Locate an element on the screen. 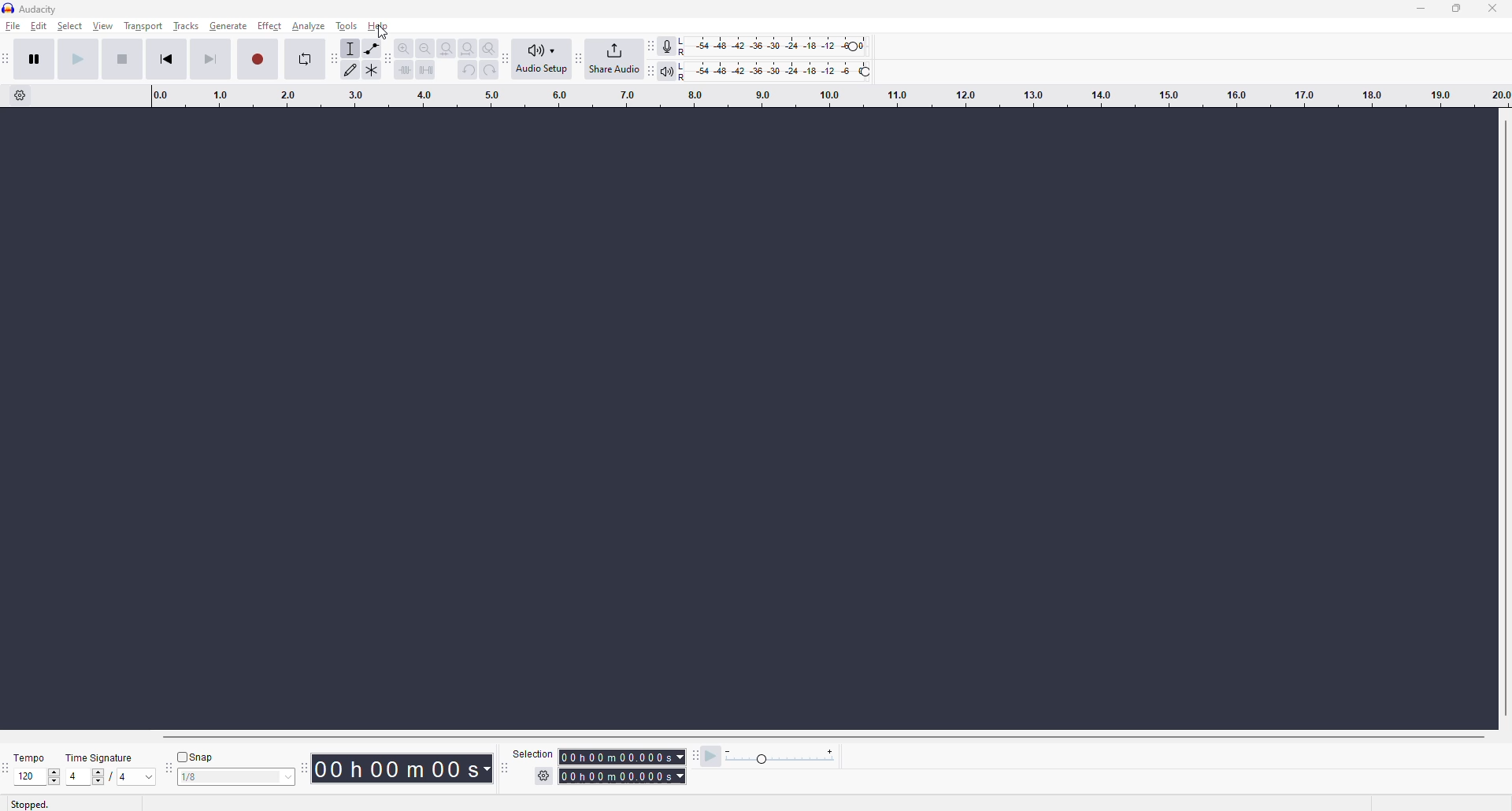 This screenshot has width=1512, height=811. value is located at coordinates (234, 775).